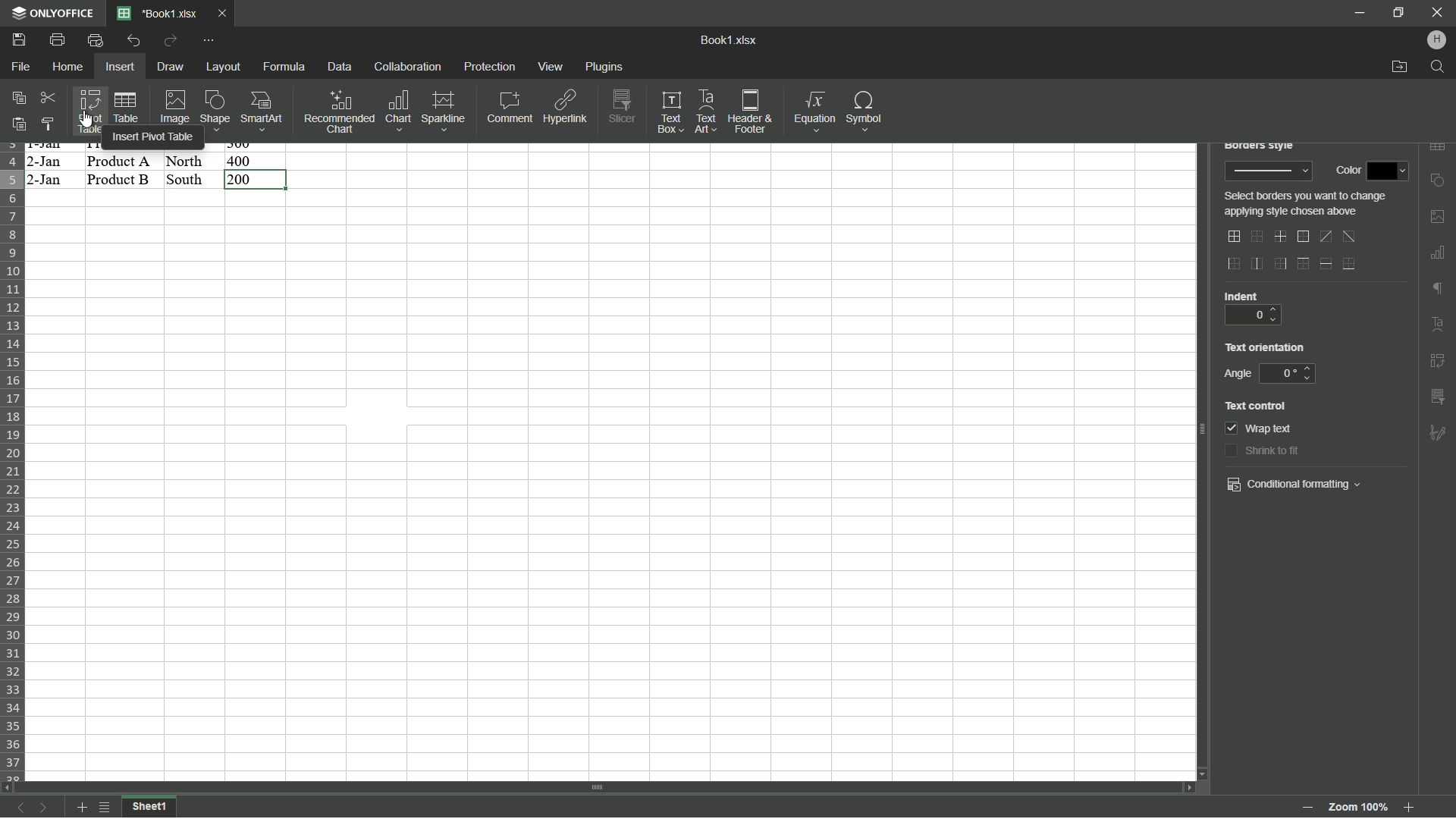 The height and width of the screenshot is (819, 1456). What do you see at coordinates (1359, 13) in the screenshot?
I see `minimize` at bounding box center [1359, 13].